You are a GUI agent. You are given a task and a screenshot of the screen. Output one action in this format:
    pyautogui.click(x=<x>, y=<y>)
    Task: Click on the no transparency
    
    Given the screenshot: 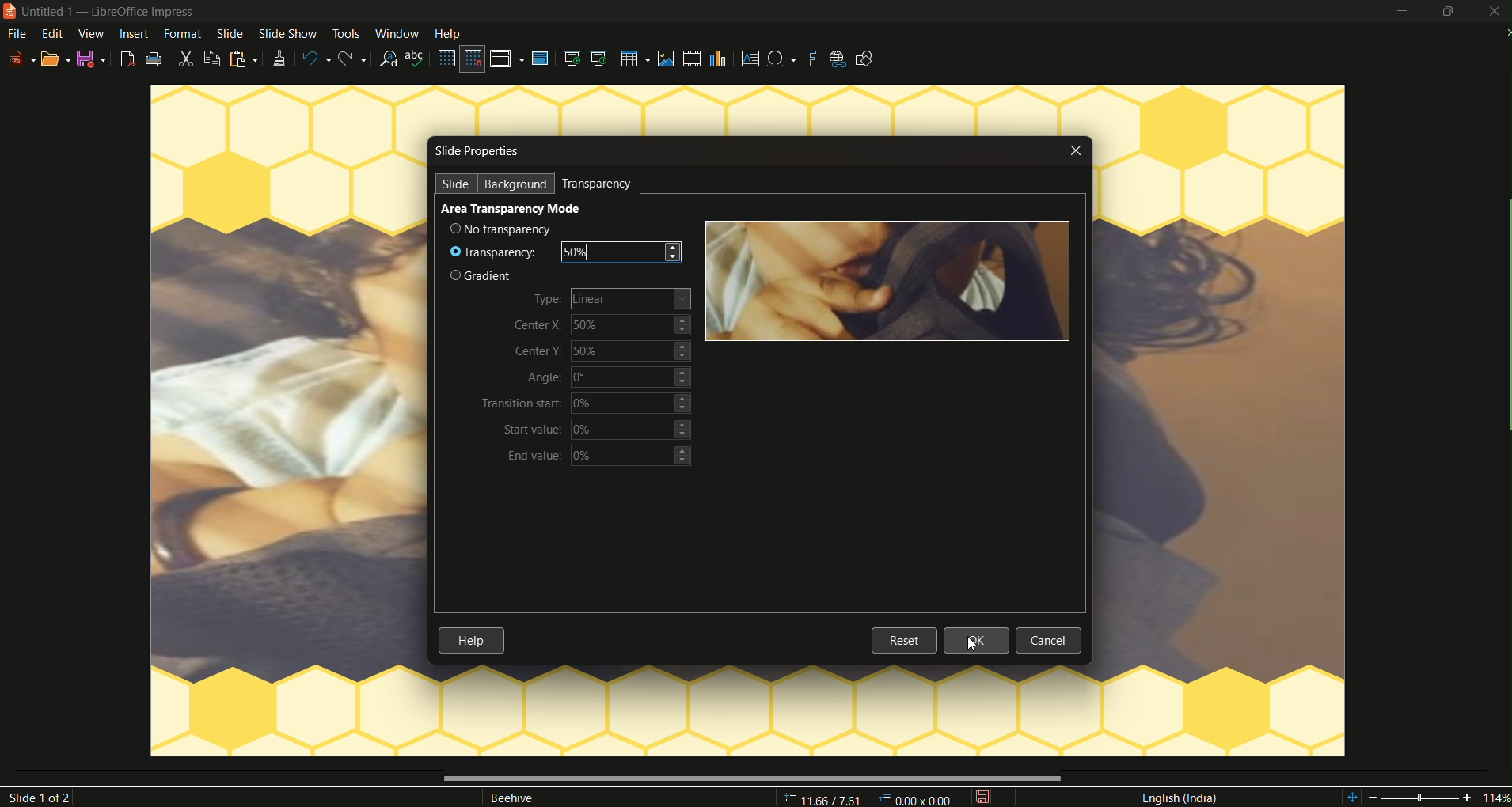 What is the action you would take?
    pyautogui.click(x=505, y=229)
    